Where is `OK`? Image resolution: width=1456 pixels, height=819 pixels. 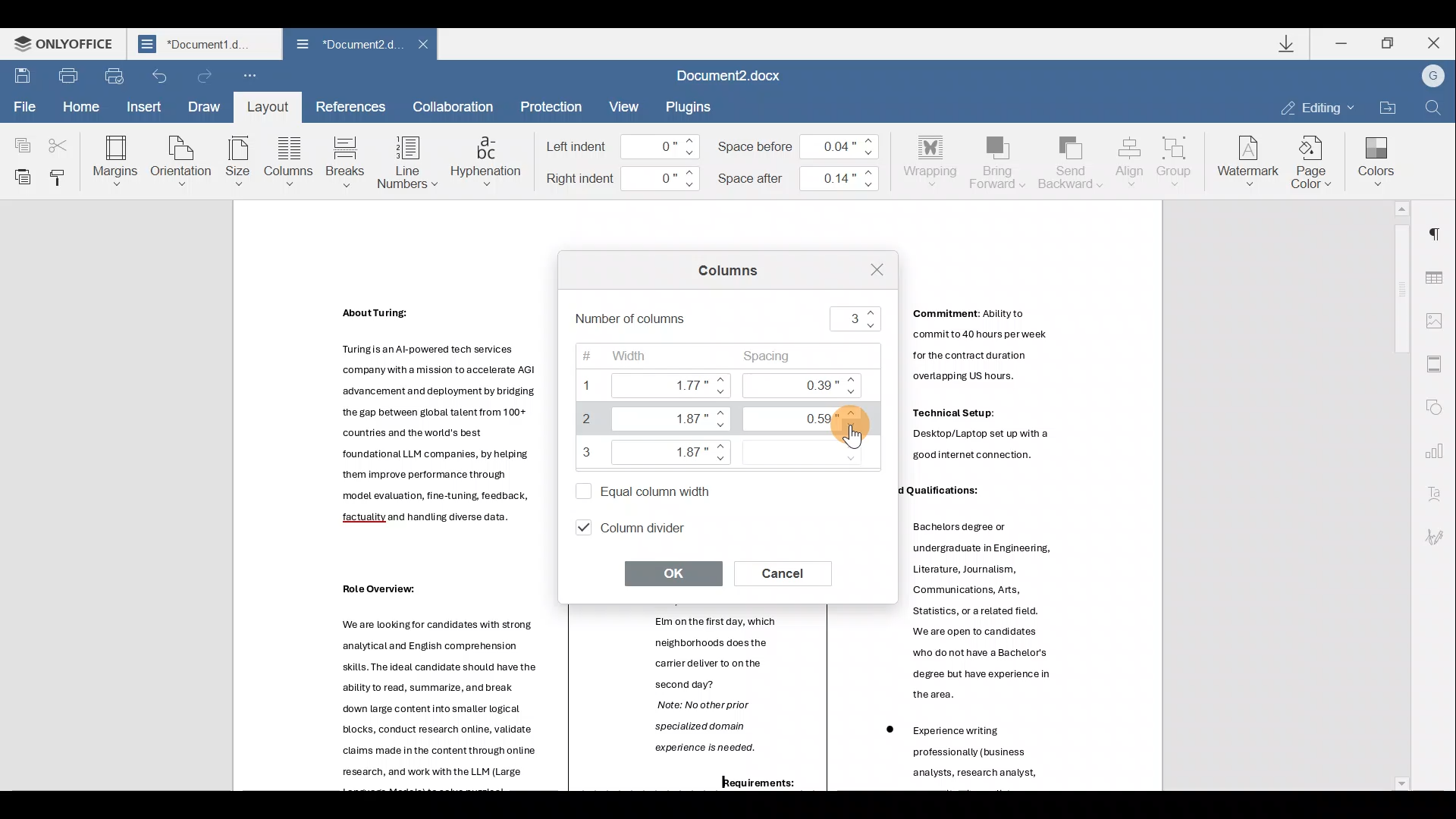
OK is located at coordinates (677, 573).